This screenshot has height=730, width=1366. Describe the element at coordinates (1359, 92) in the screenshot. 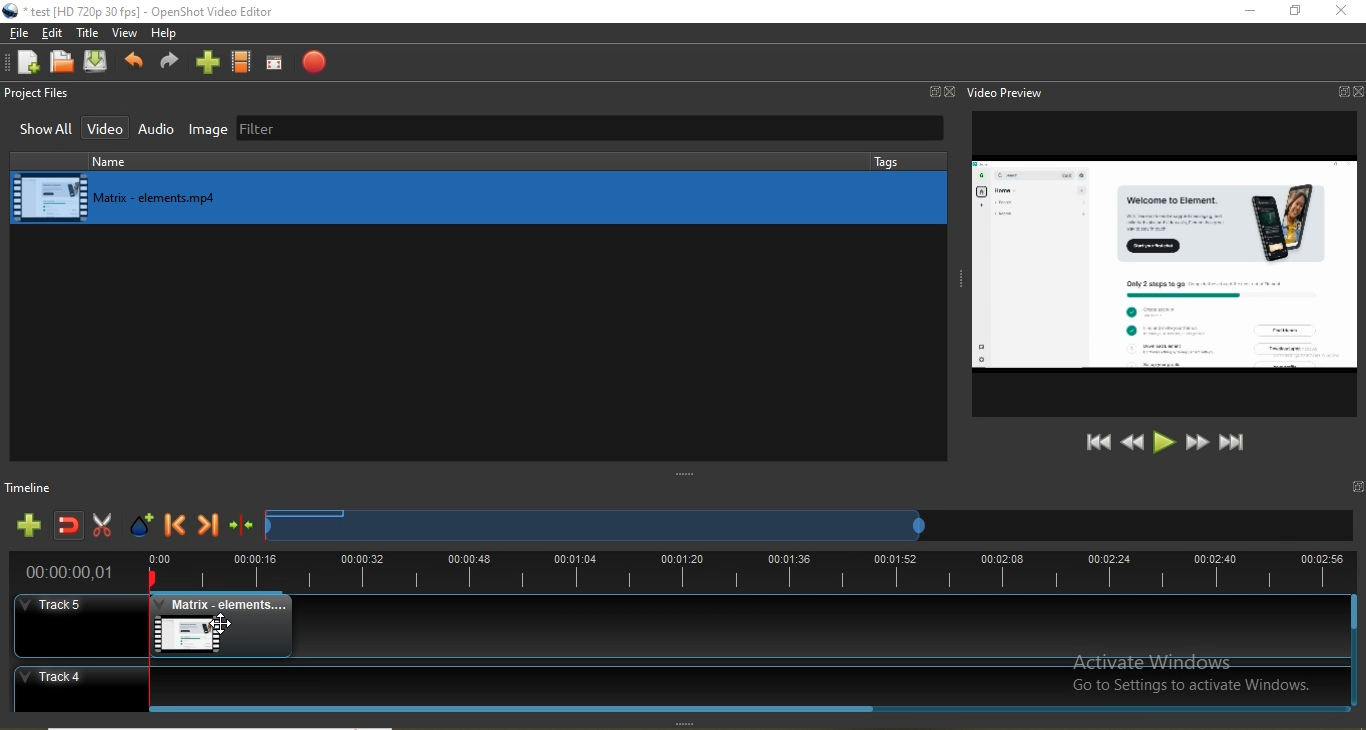

I see `Close` at that location.